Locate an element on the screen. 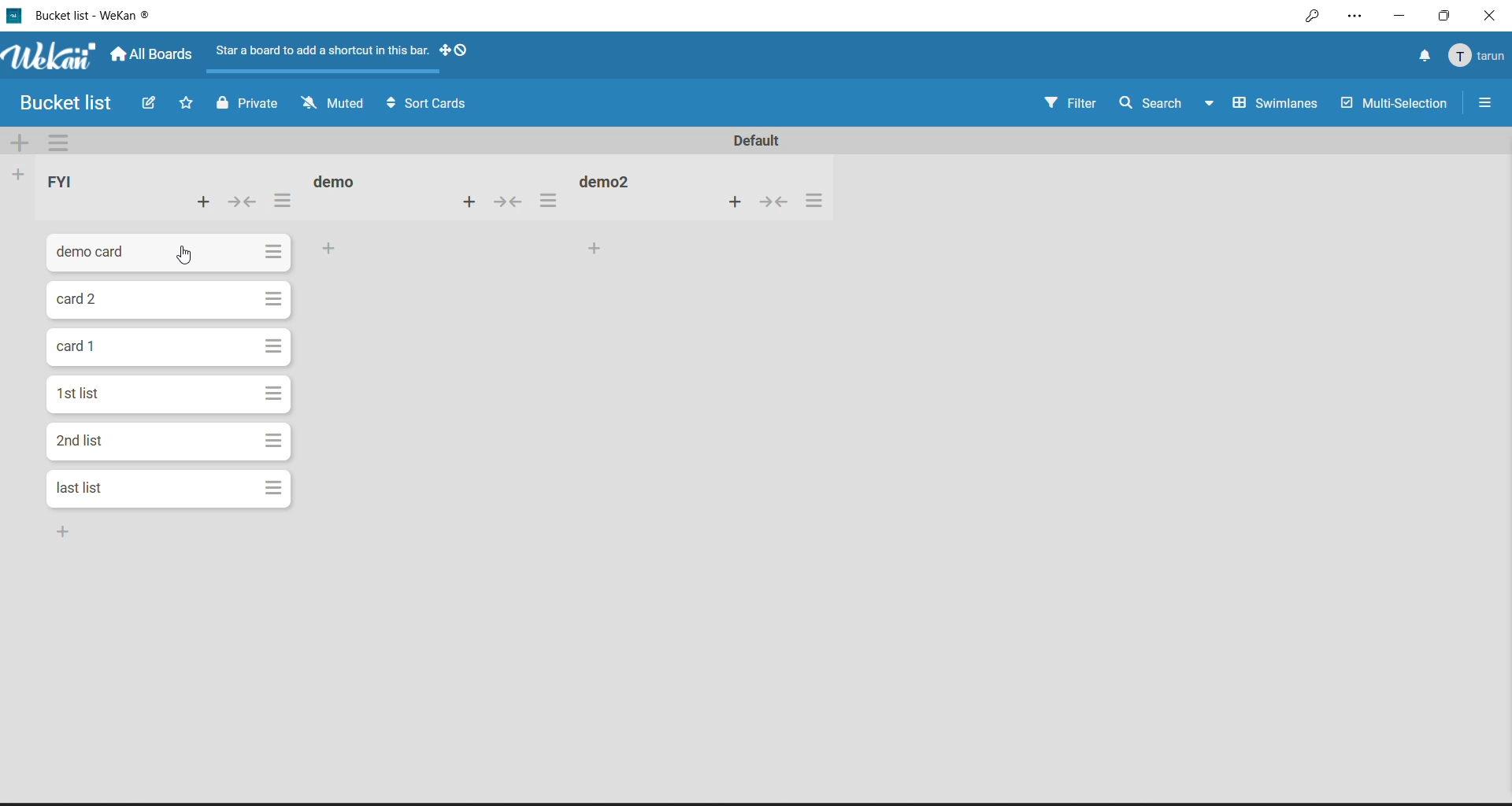 The height and width of the screenshot is (806, 1512). notifications is located at coordinates (1421, 56).